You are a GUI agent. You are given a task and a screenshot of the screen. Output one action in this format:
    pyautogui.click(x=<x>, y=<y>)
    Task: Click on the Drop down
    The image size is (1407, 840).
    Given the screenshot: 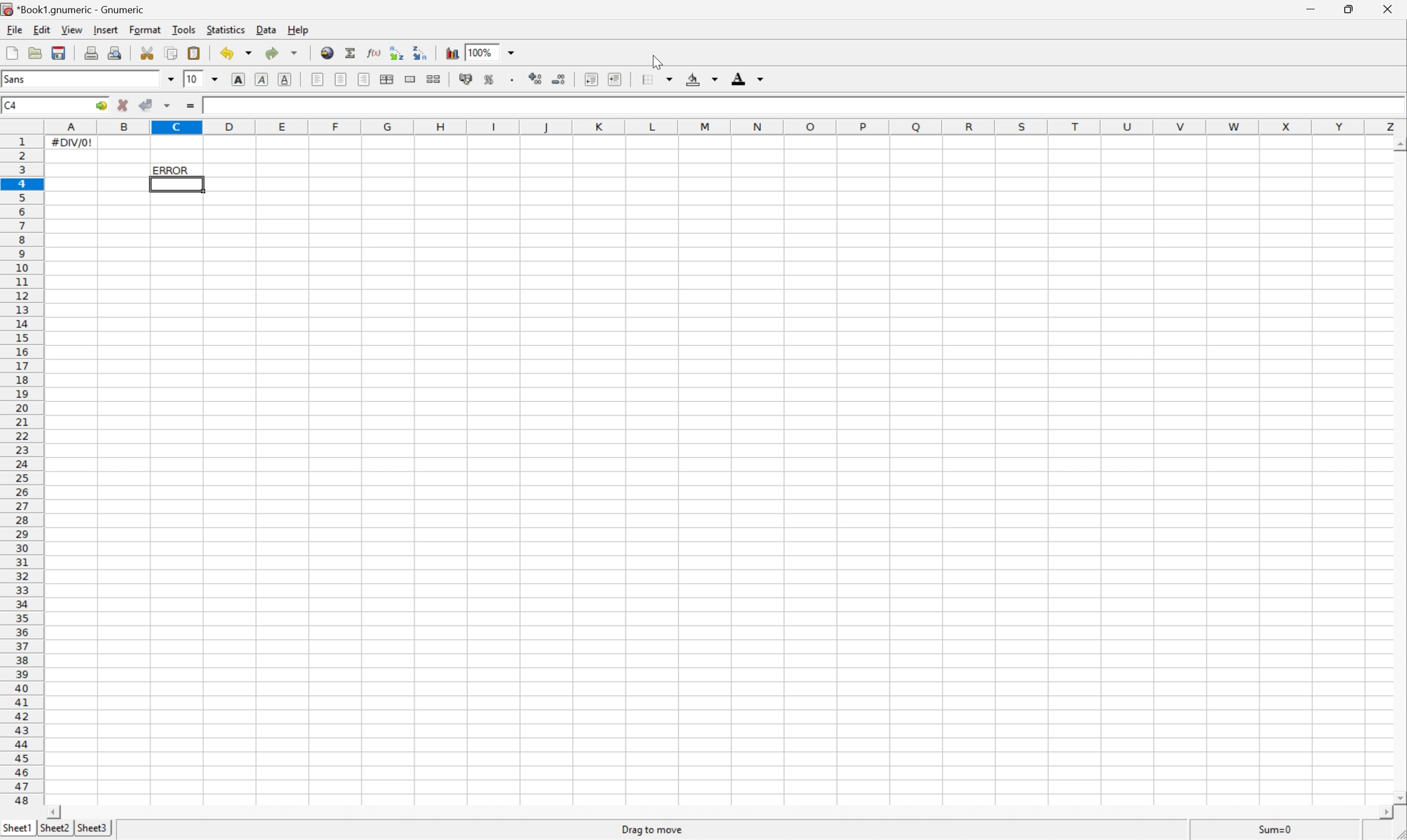 What is the action you would take?
    pyautogui.click(x=765, y=79)
    